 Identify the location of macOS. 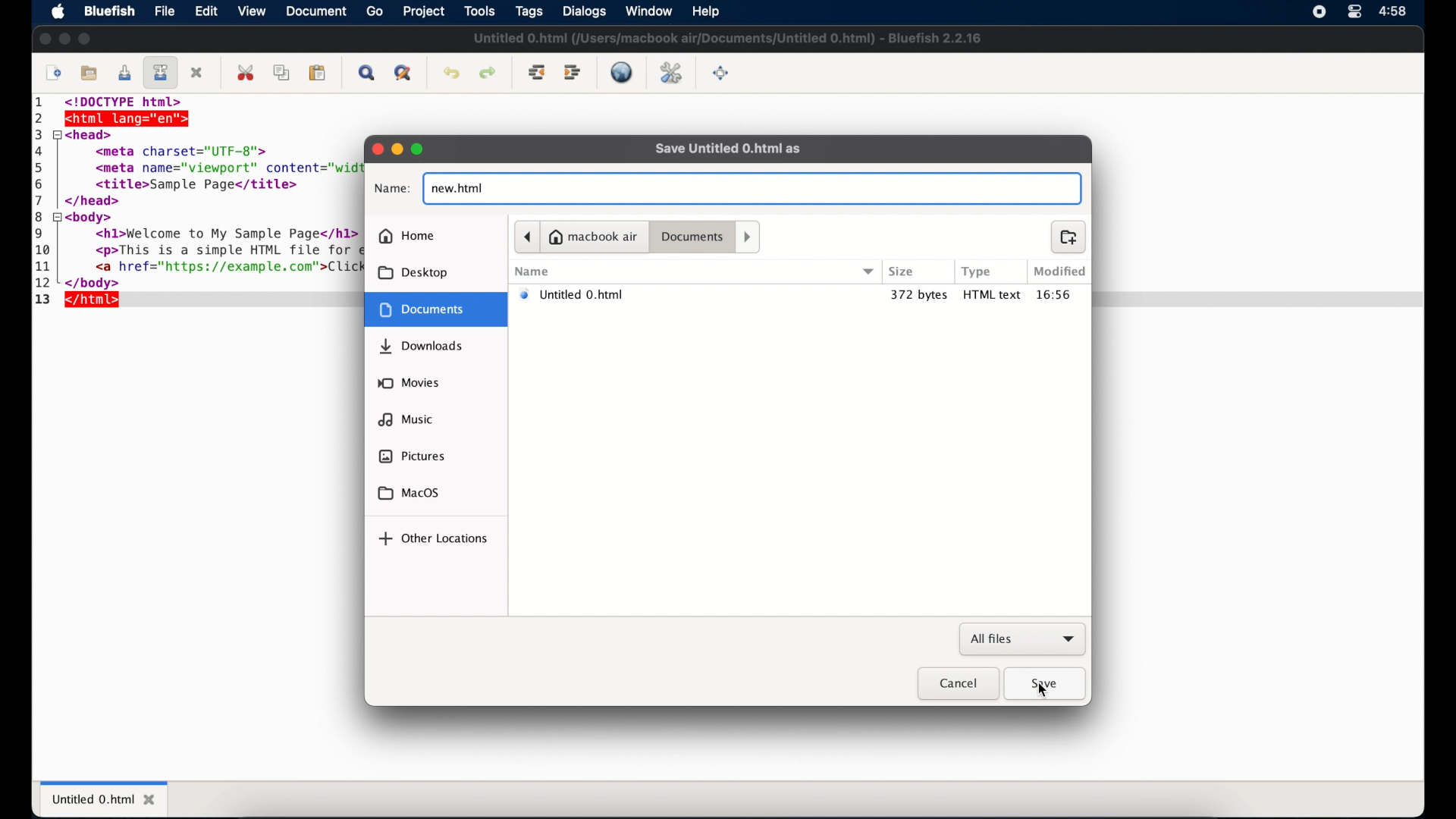
(409, 494).